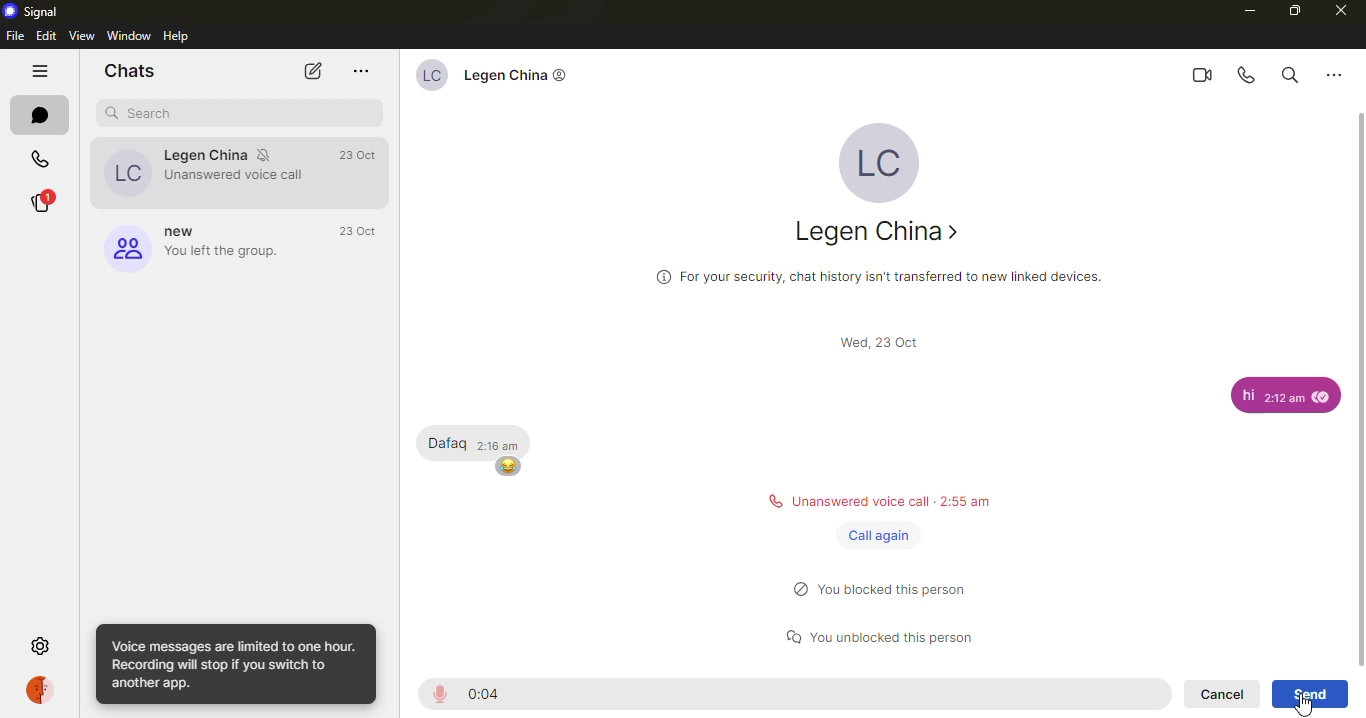  What do you see at coordinates (240, 177) in the screenshot?
I see `Unanswered voice call` at bounding box center [240, 177].